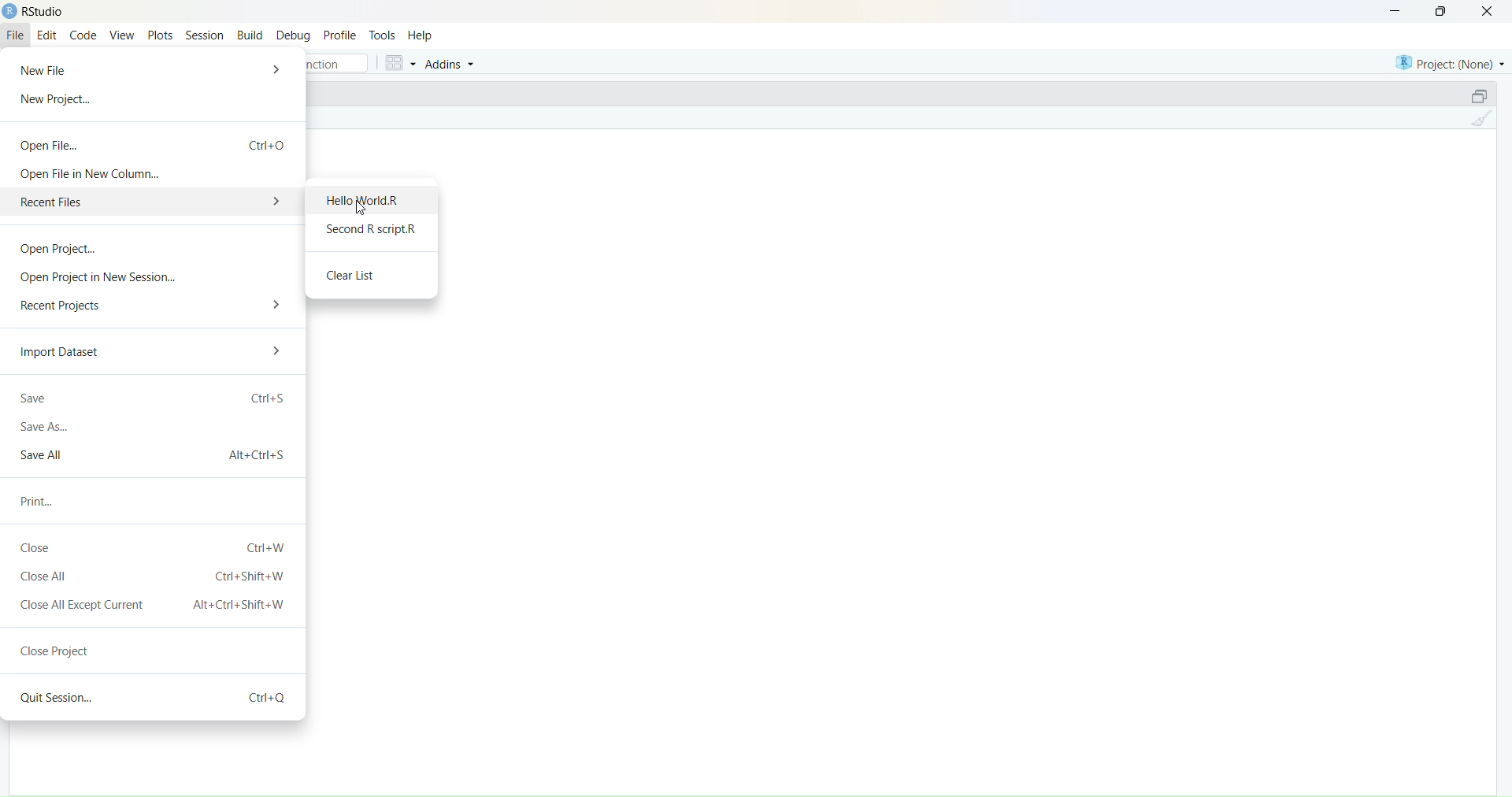 This screenshot has height=797, width=1512. What do you see at coordinates (250, 35) in the screenshot?
I see `Build` at bounding box center [250, 35].